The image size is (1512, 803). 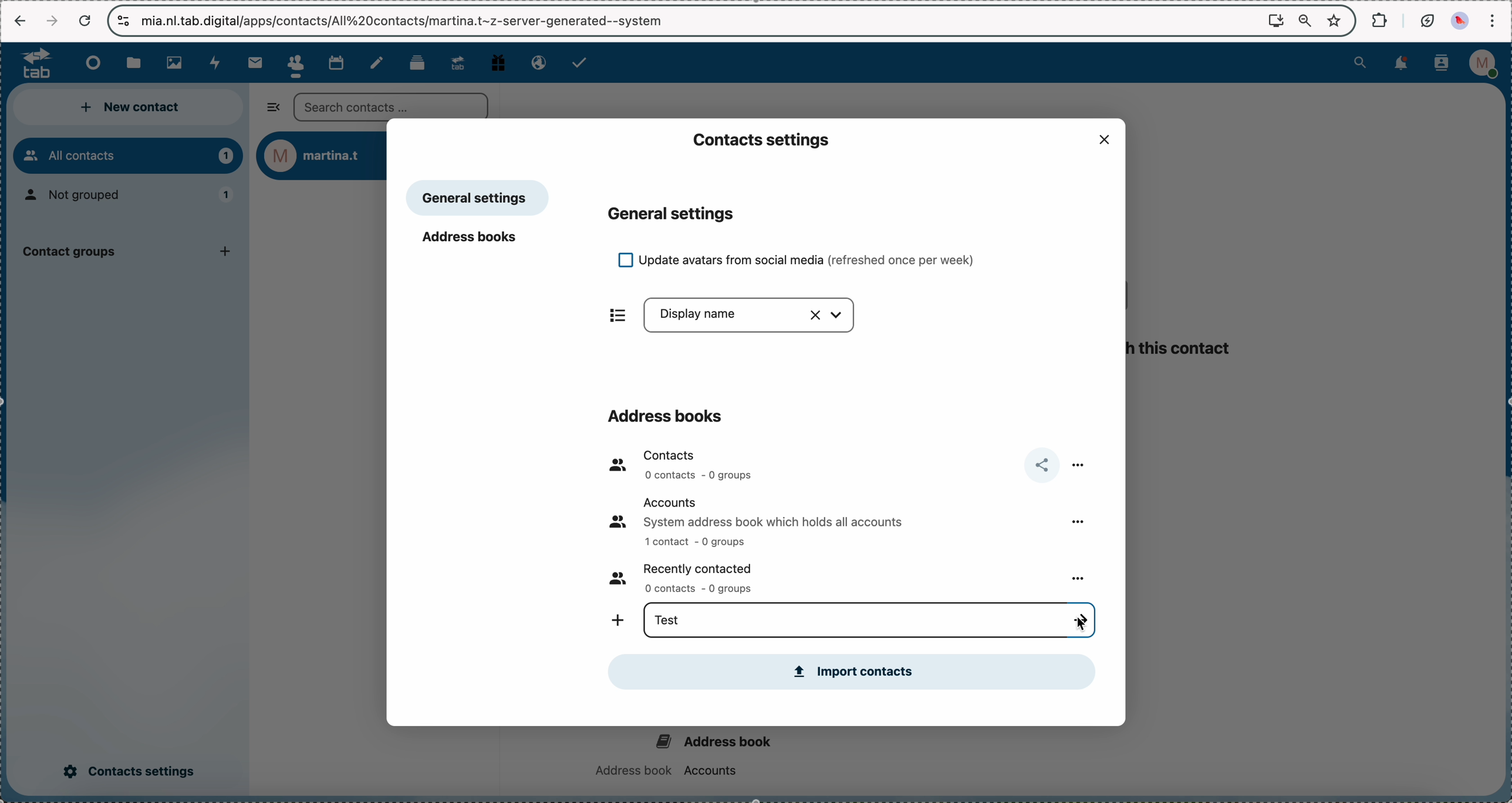 I want to click on address books, so click(x=474, y=240).